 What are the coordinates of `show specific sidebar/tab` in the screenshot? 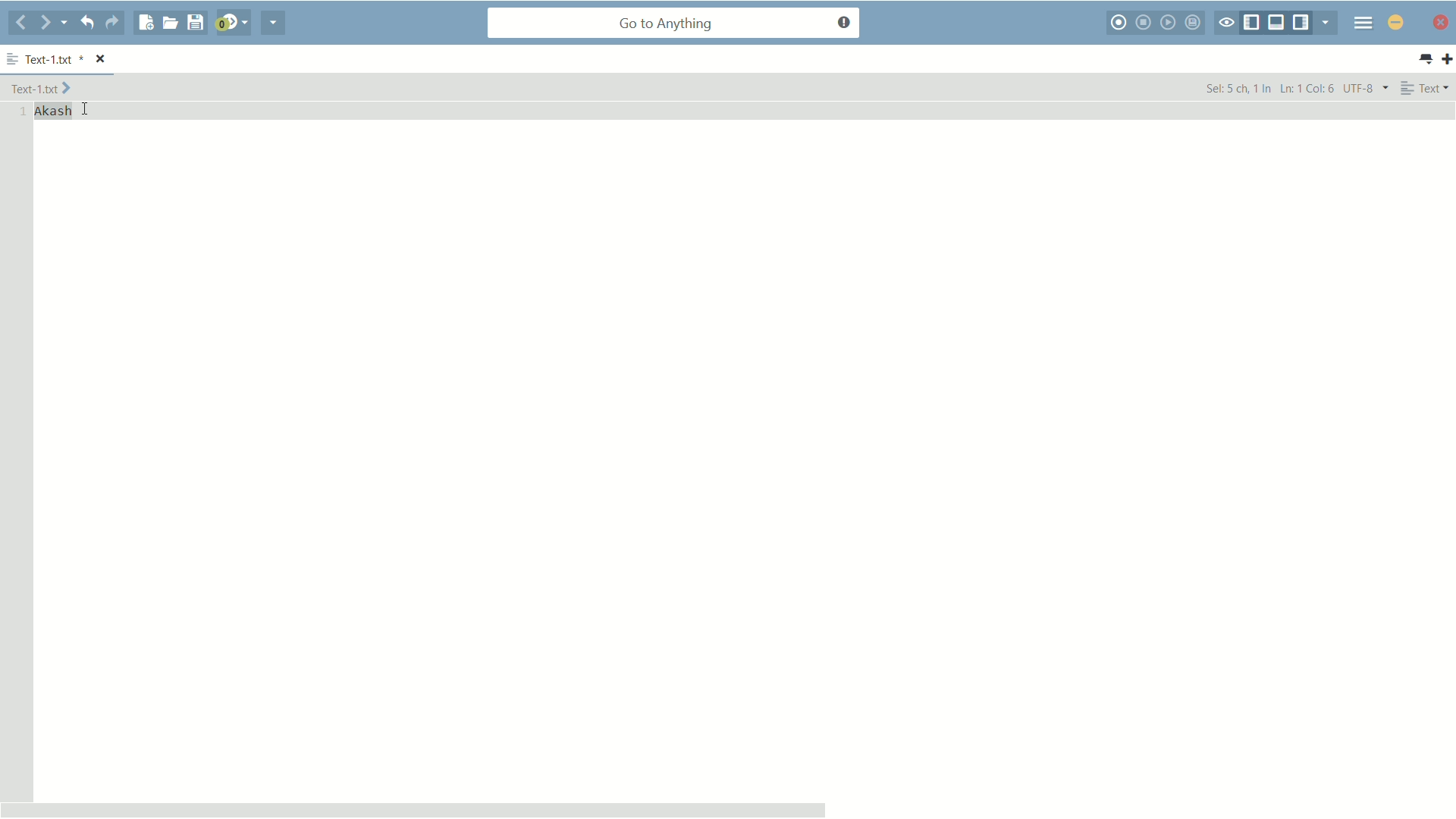 It's located at (1329, 23).